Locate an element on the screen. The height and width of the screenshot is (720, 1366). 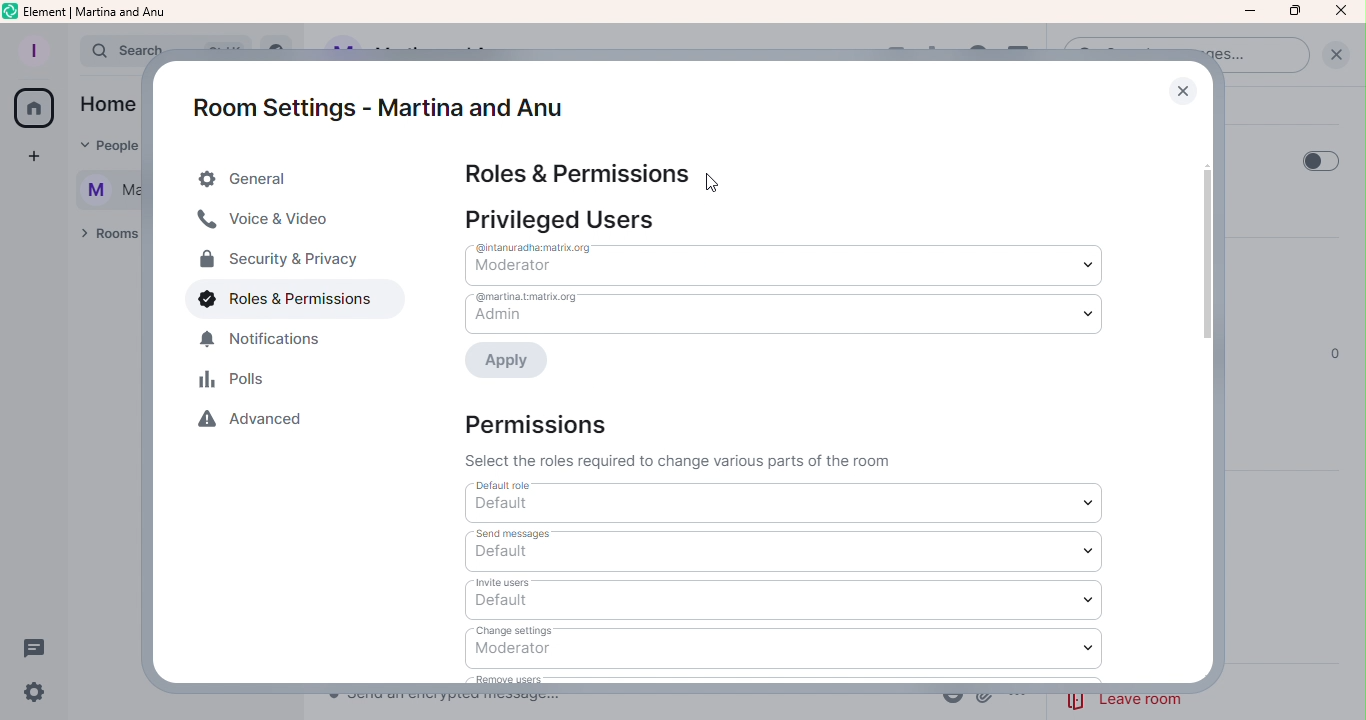
Drop down menu is located at coordinates (792, 262).